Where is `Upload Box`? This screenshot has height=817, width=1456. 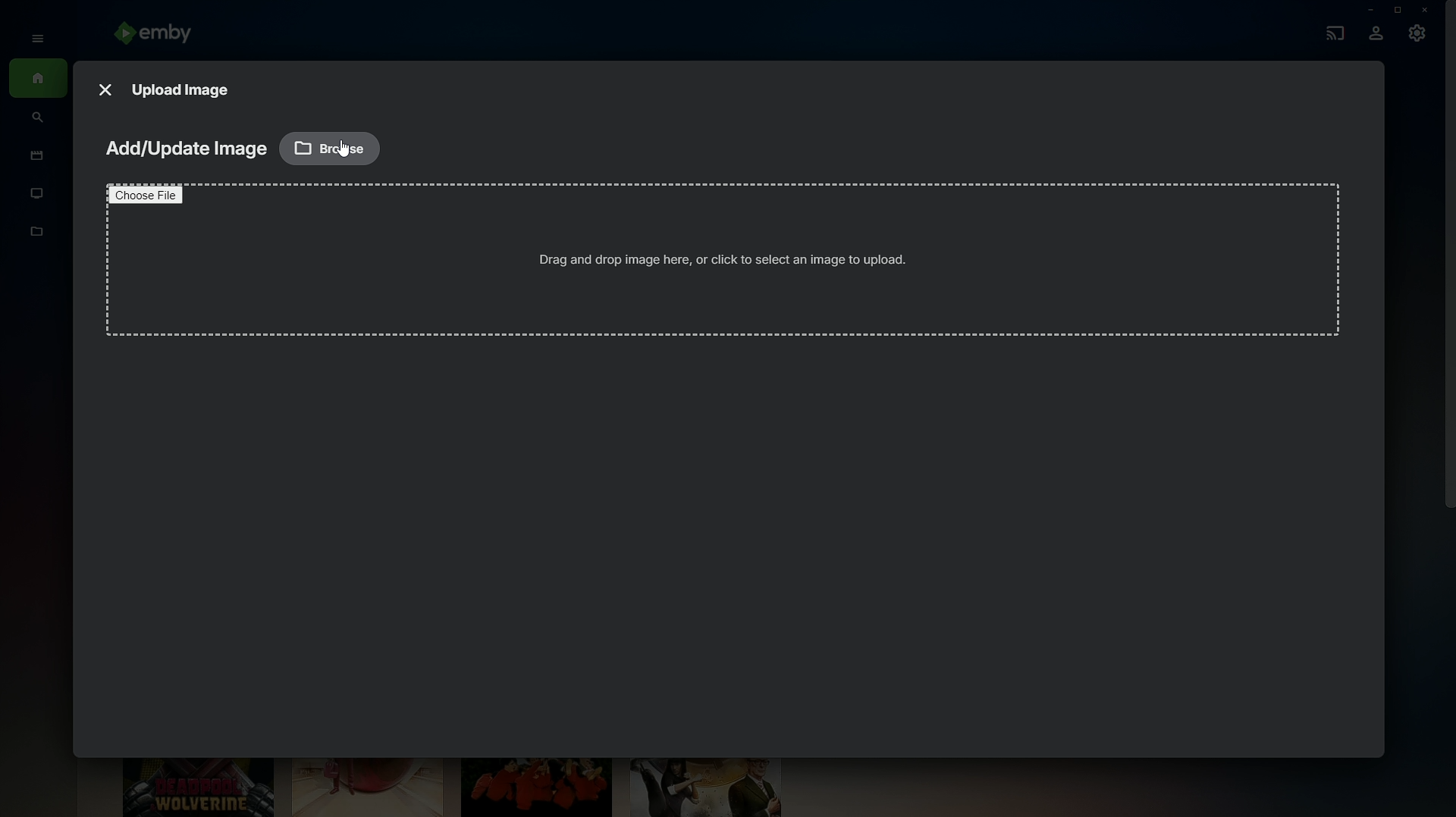
Upload Box is located at coordinates (719, 266).